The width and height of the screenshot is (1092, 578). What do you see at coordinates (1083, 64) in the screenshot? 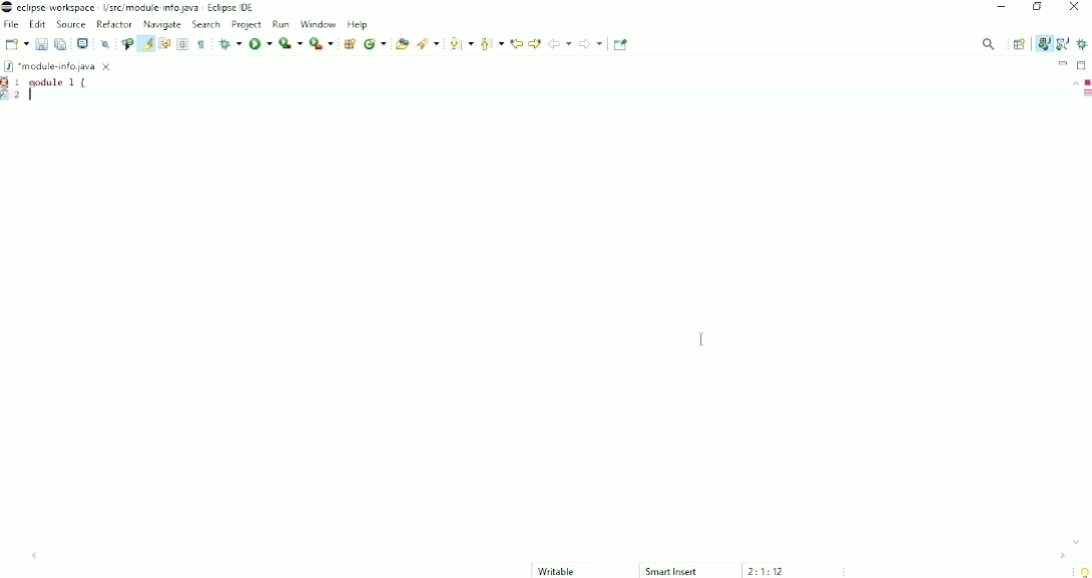
I see `Maximize` at bounding box center [1083, 64].